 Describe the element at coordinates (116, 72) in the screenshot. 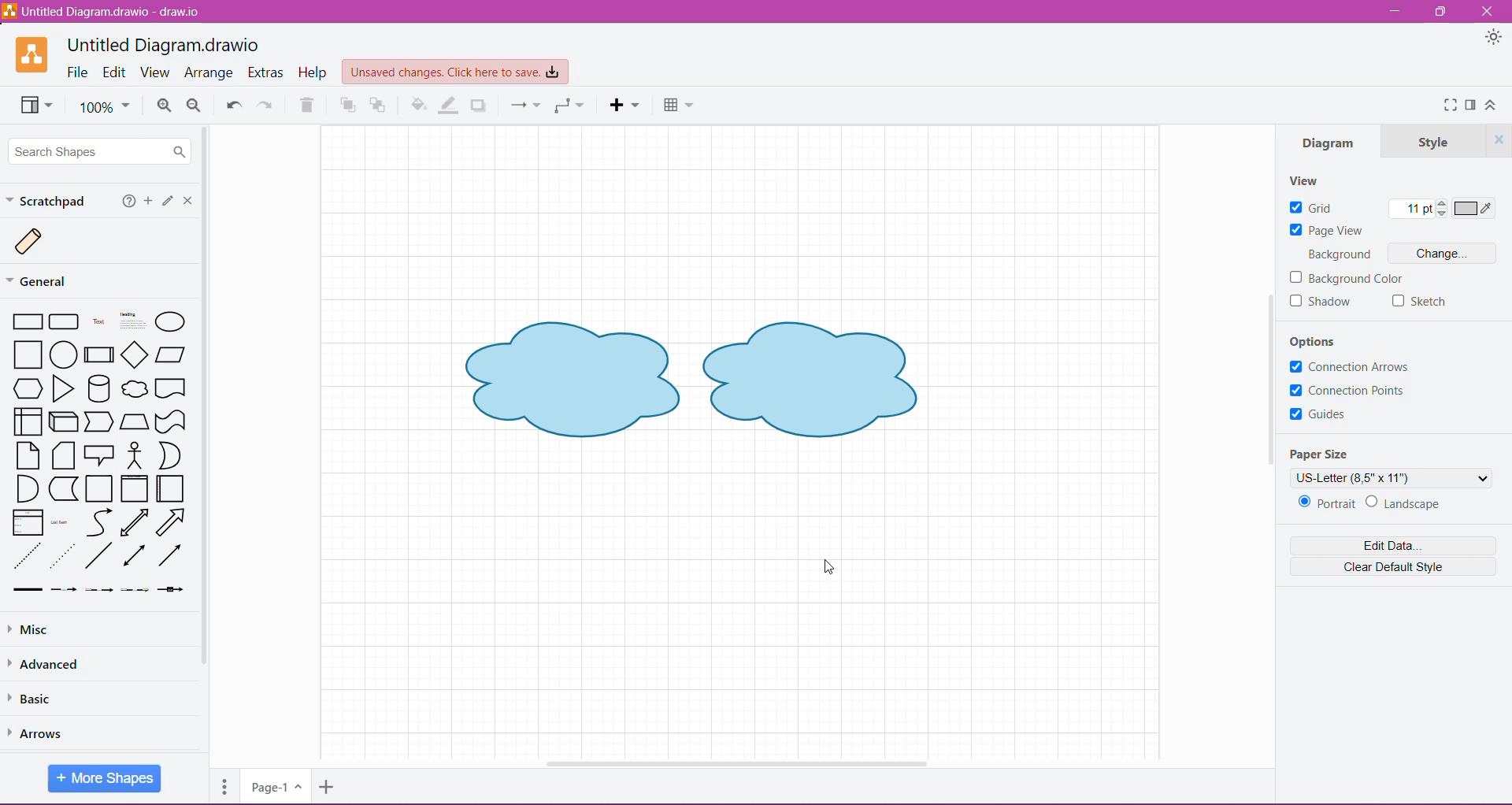

I see `Edit` at that location.